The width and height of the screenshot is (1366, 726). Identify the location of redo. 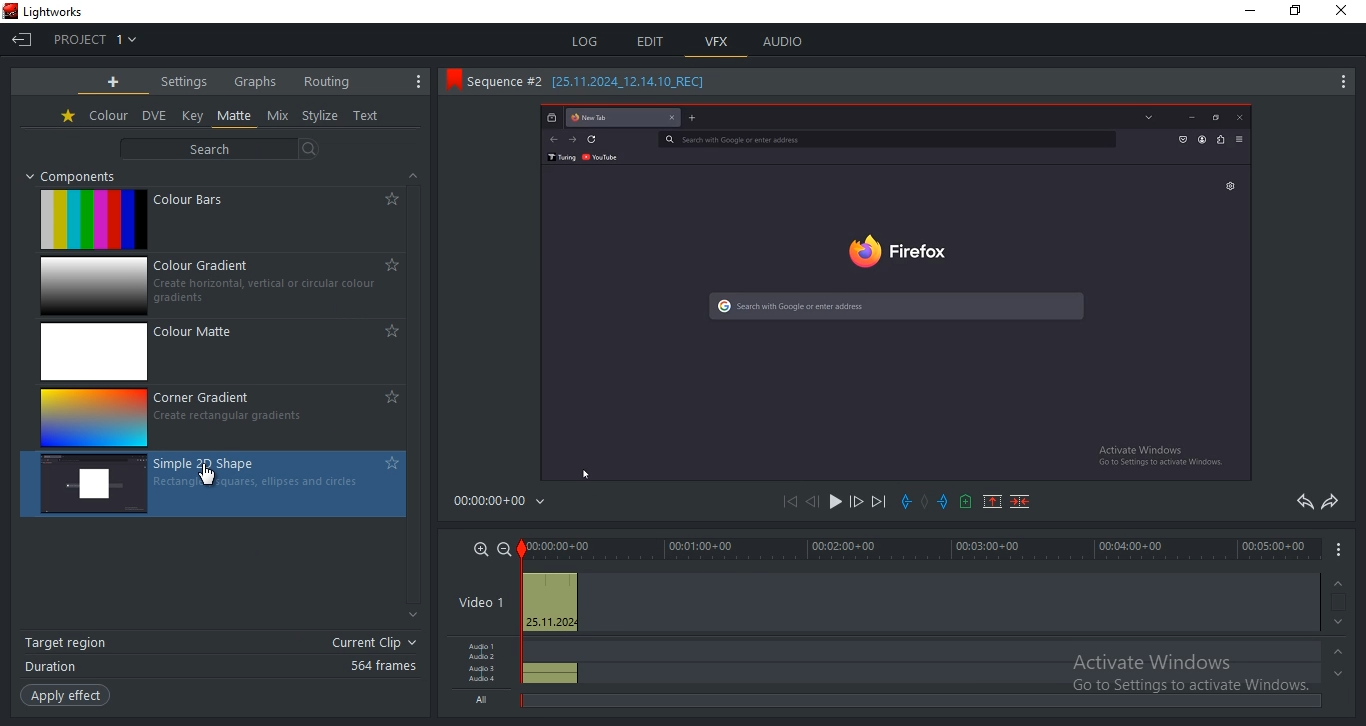
(1331, 501).